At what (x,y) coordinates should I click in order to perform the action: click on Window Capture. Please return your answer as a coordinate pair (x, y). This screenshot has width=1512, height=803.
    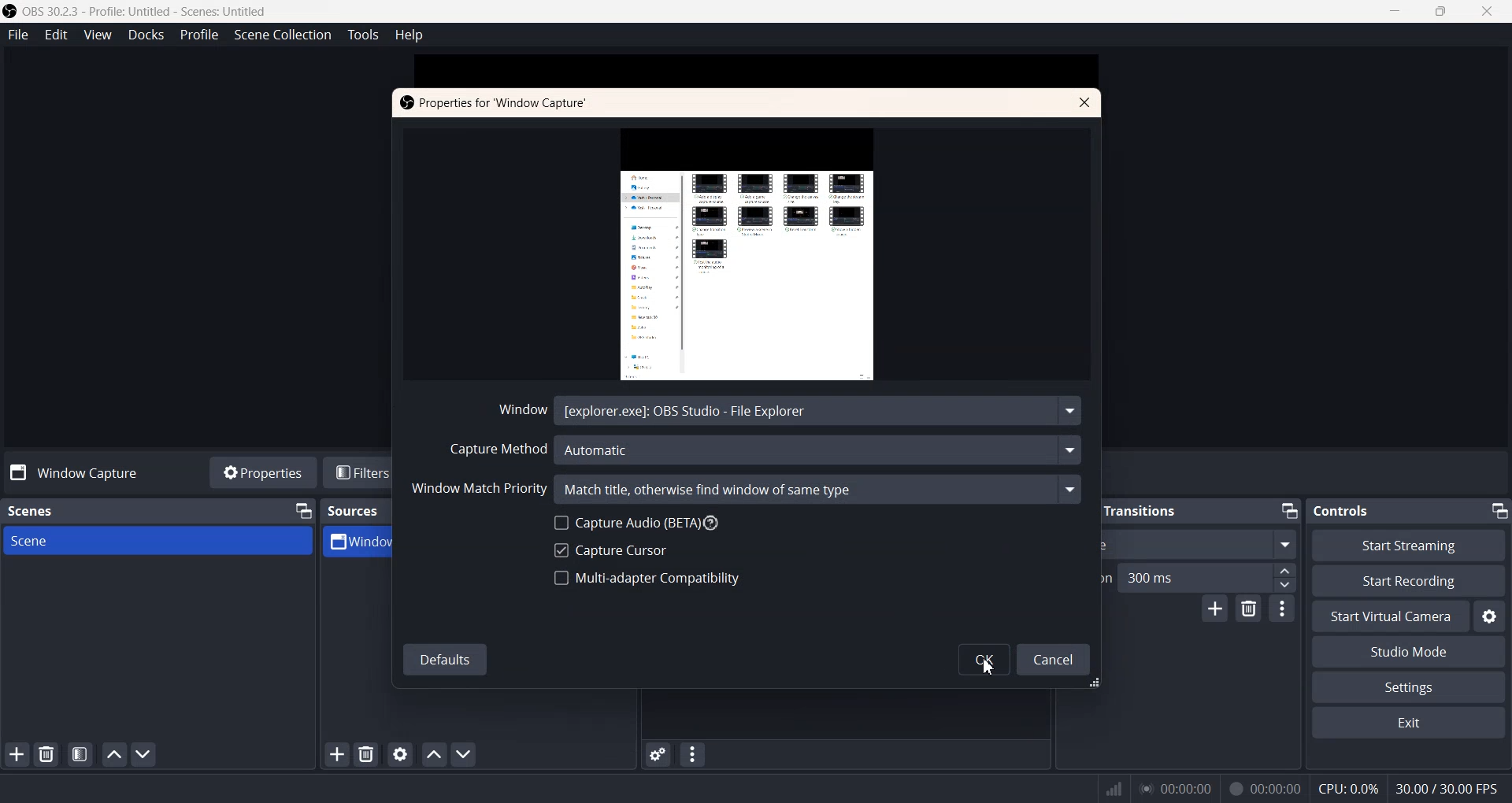
    Looking at the image, I should click on (82, 472).